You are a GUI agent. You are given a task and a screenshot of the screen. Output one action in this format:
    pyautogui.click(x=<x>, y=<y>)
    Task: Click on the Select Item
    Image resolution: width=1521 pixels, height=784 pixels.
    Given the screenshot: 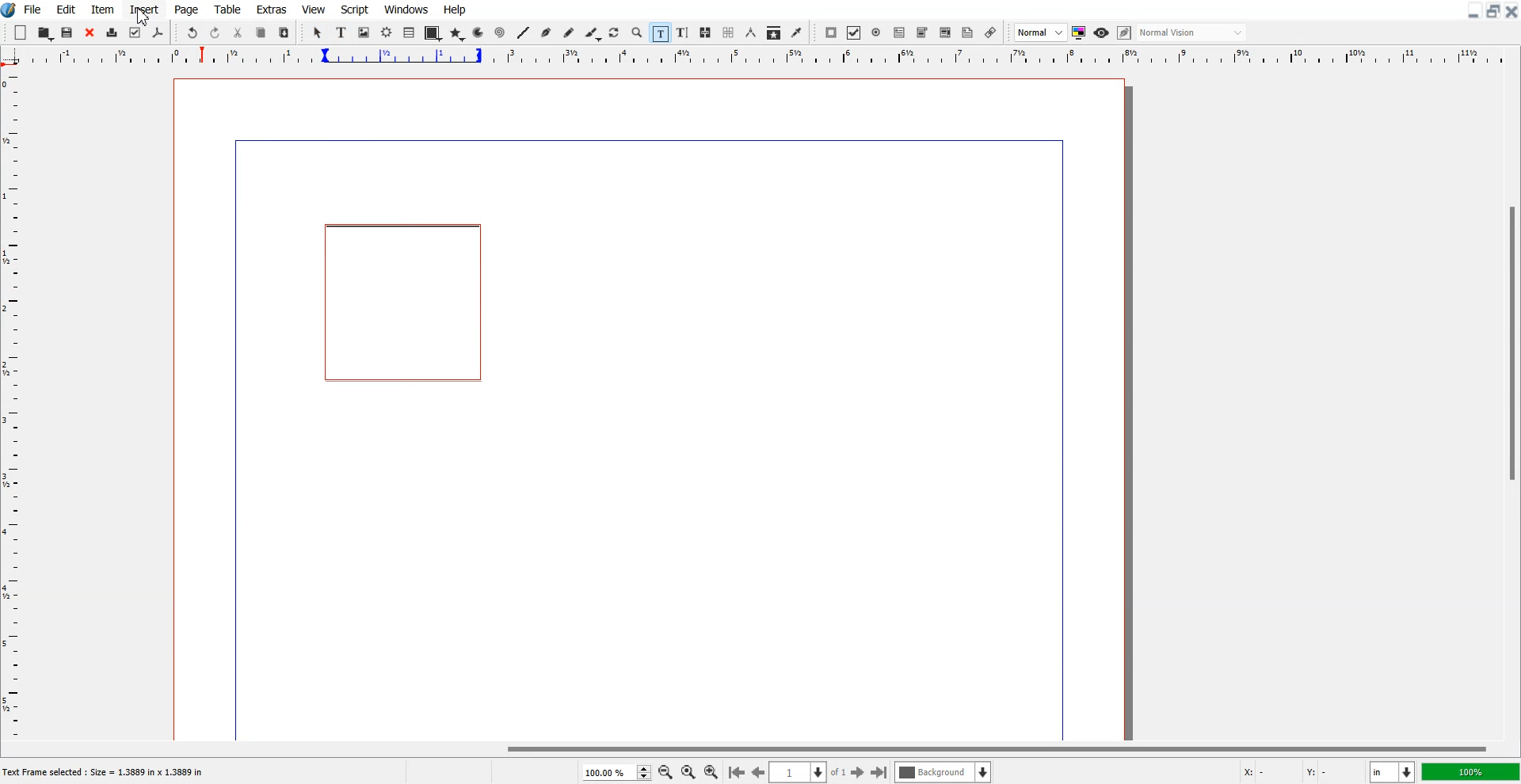 What is the action you would take?
    pyautogui.click(x=319, y=32)
    